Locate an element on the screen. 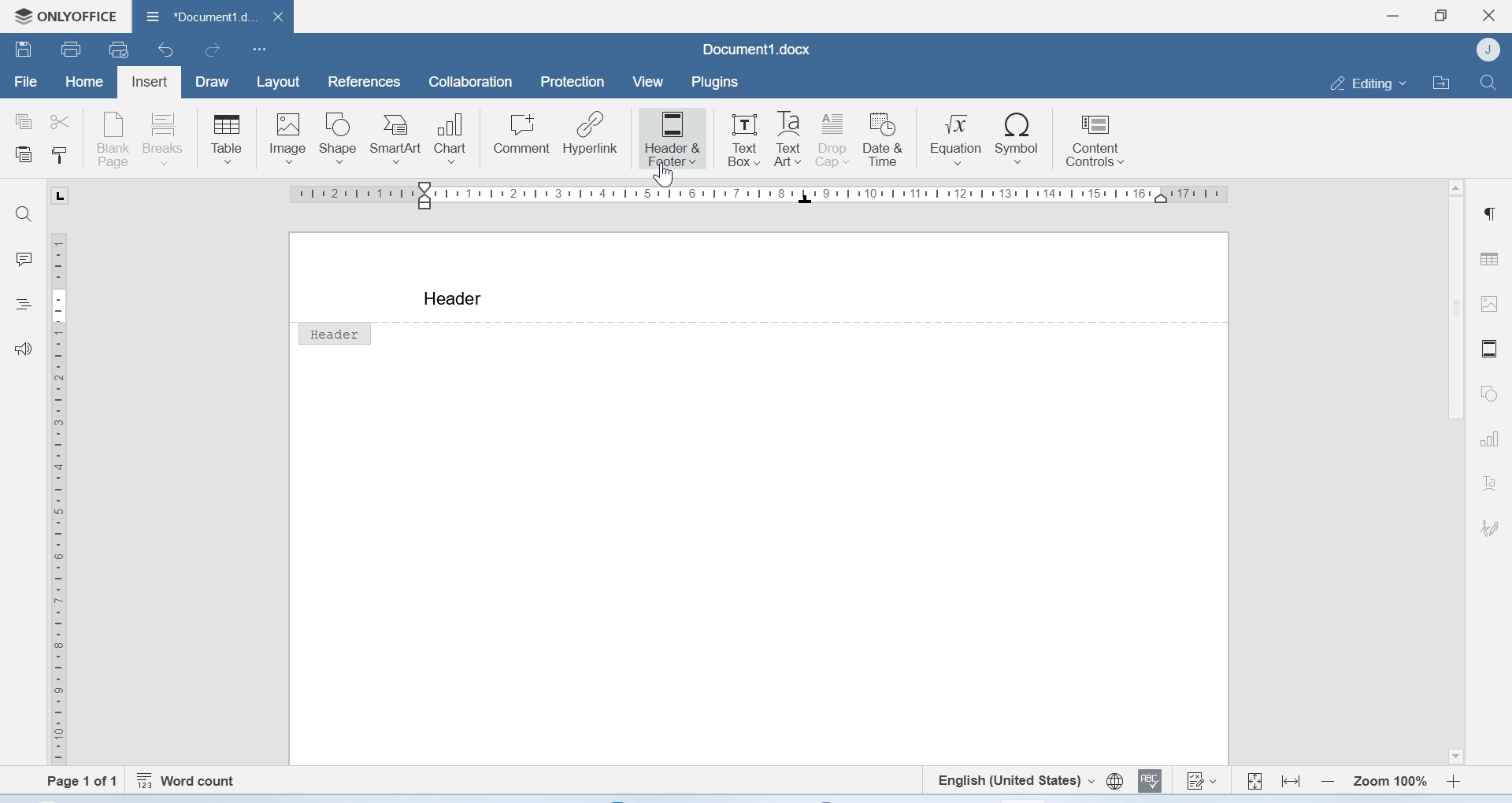 The image size is (1512, 803). Onlyoffice is located at coordinates (65, 14).